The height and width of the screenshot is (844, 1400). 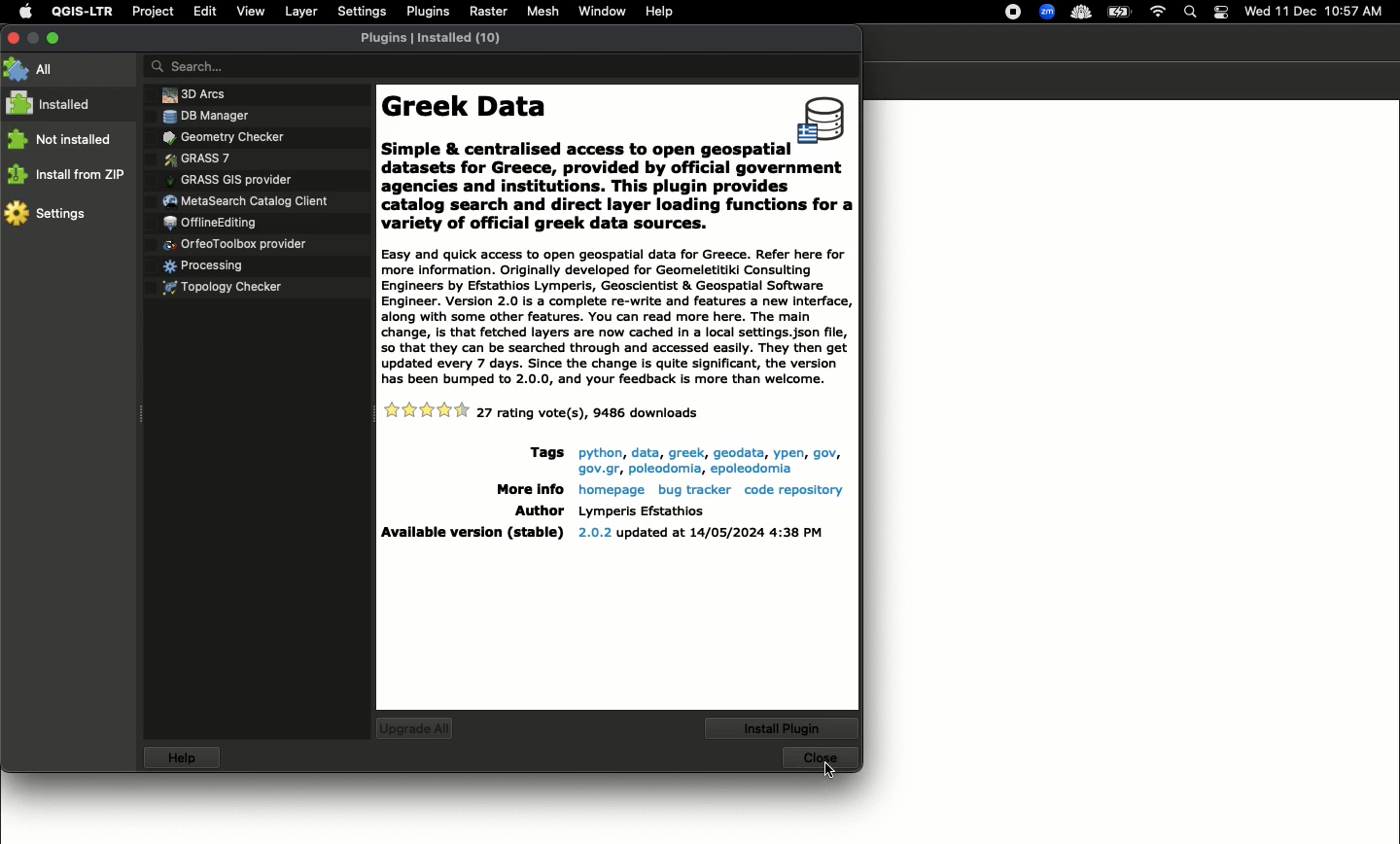 I want to click on Settings, so click(x=48, y=216).